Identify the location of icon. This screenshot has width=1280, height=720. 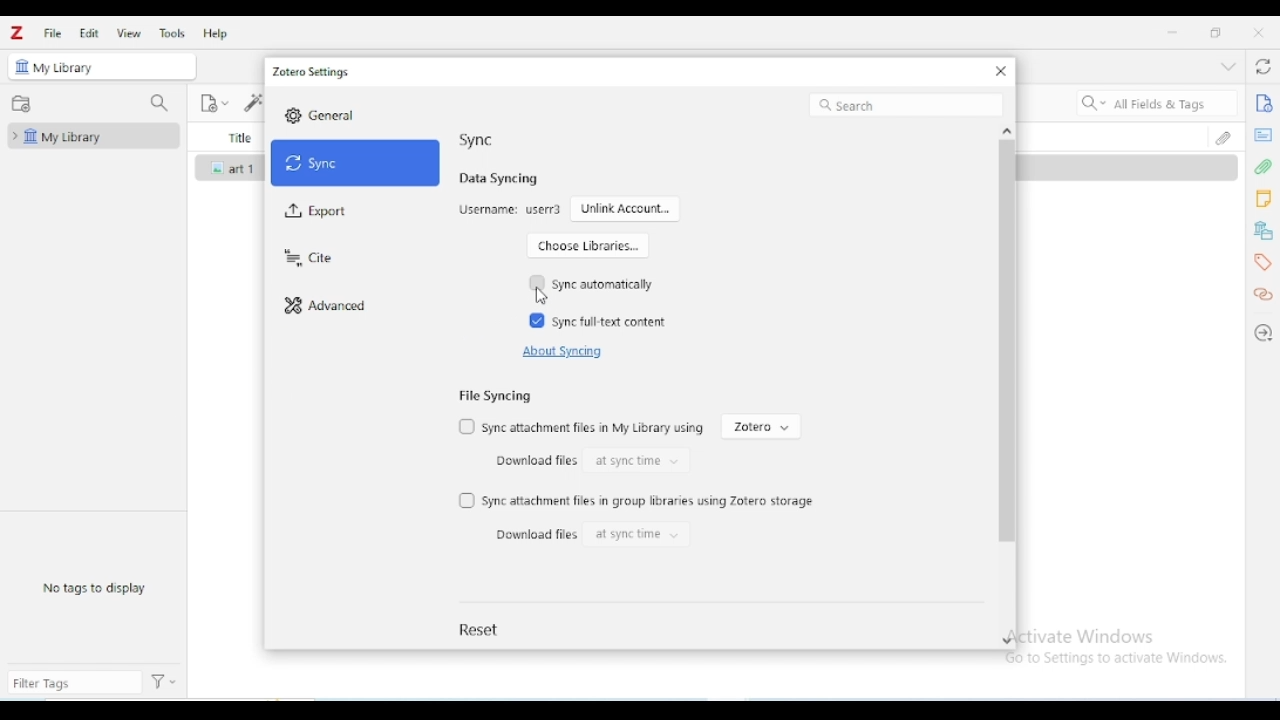
(219, 168).